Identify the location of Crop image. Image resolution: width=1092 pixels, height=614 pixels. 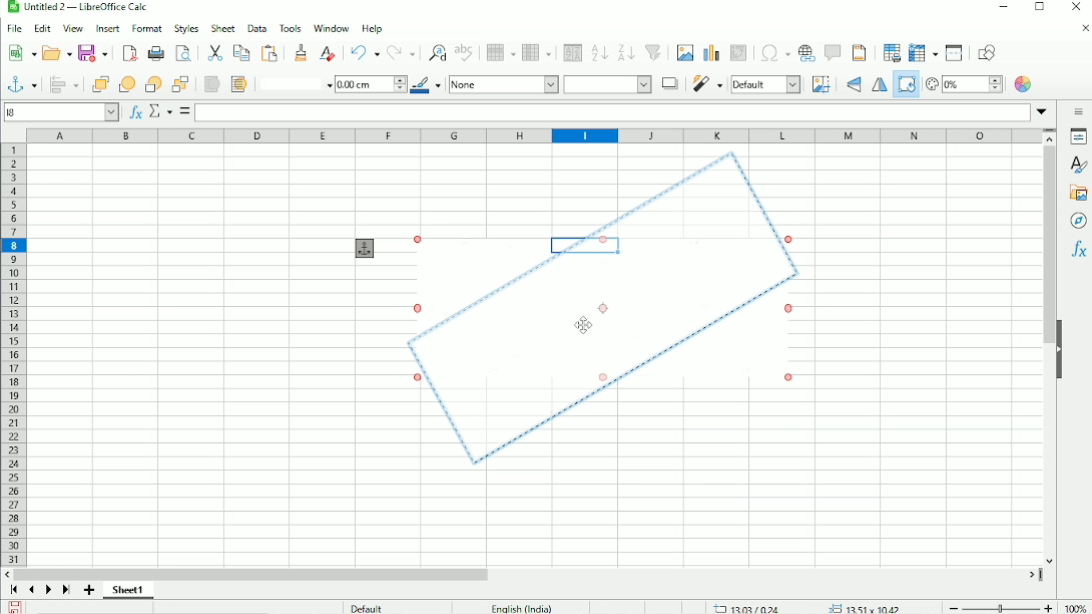
(822, 84).